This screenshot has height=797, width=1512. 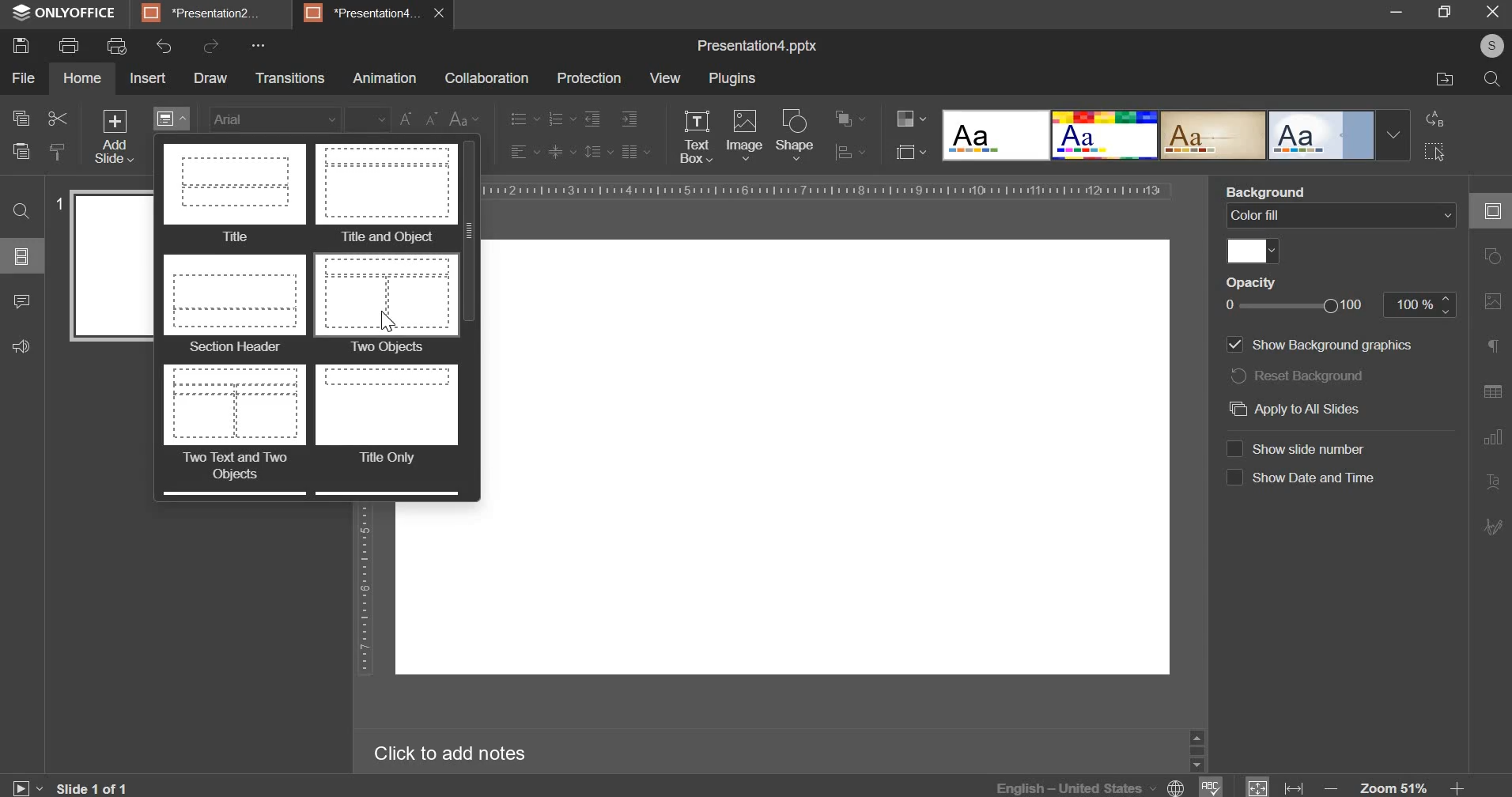 What do you see at coordinates (112, 266) in the screenshot?
I see `slide preview` at bounding box center [112, 266].